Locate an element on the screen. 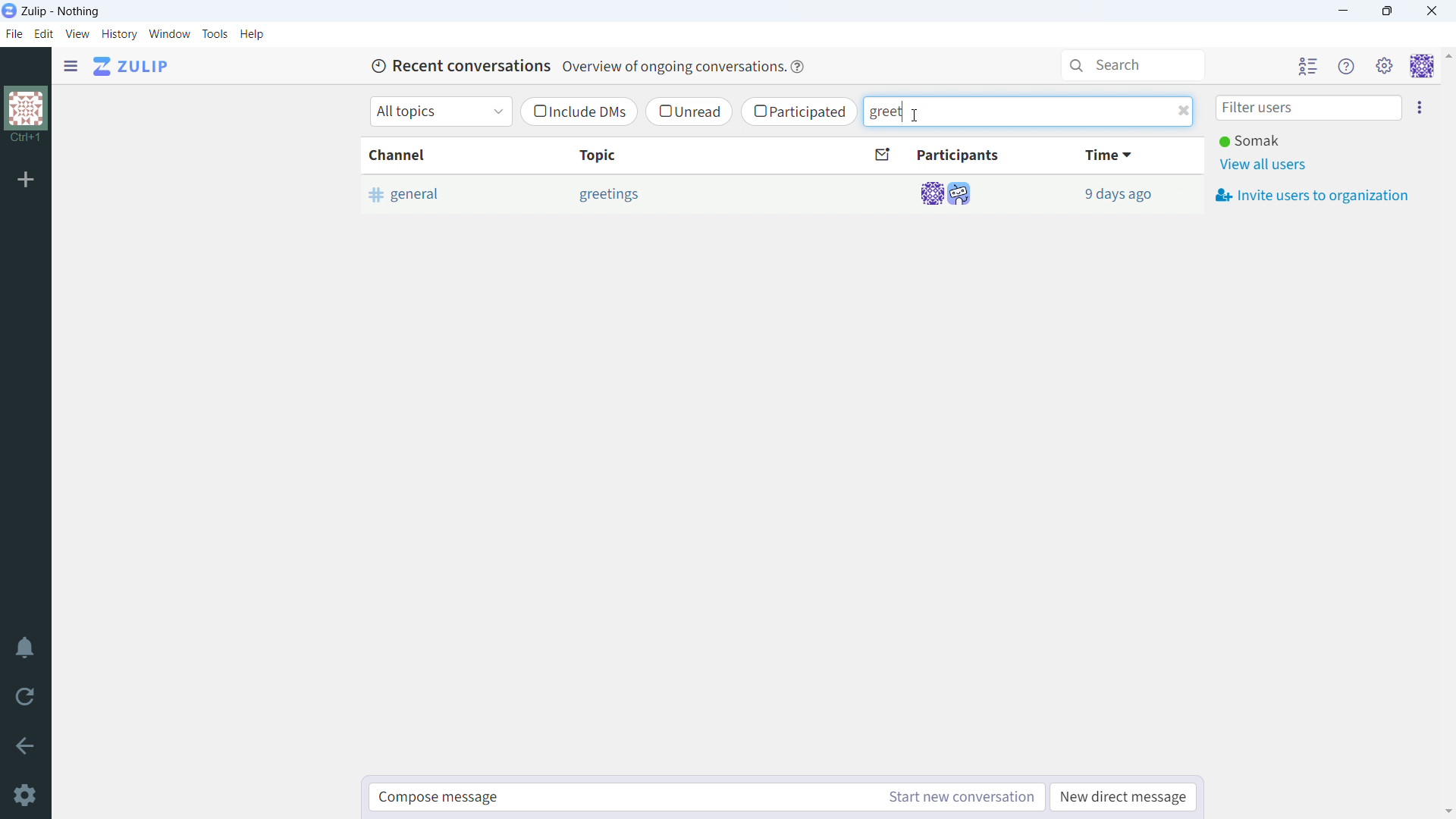  view all users is located at coordinates (1266, 165).